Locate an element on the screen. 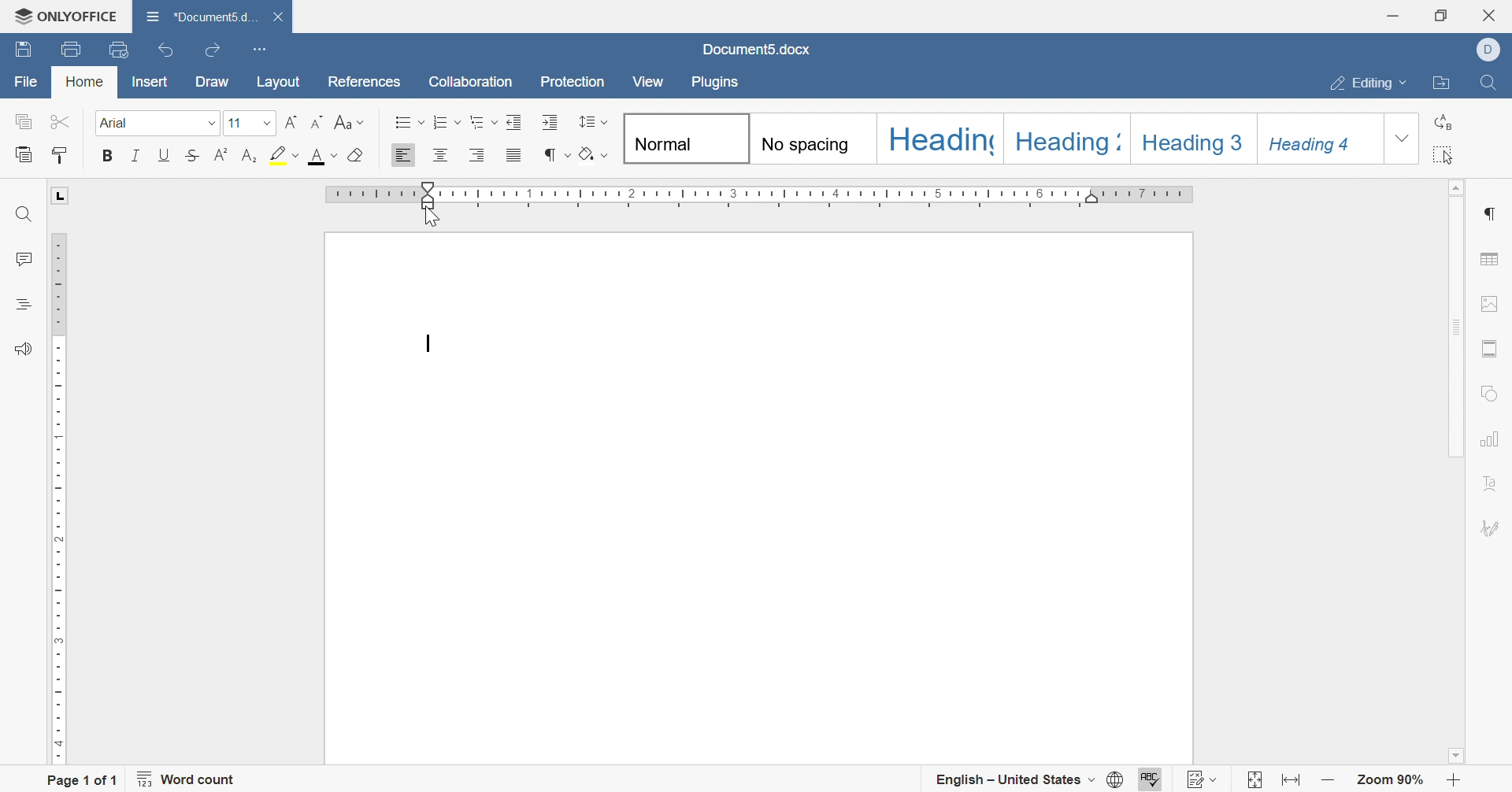  replace is located at coordinates (1448, 119).